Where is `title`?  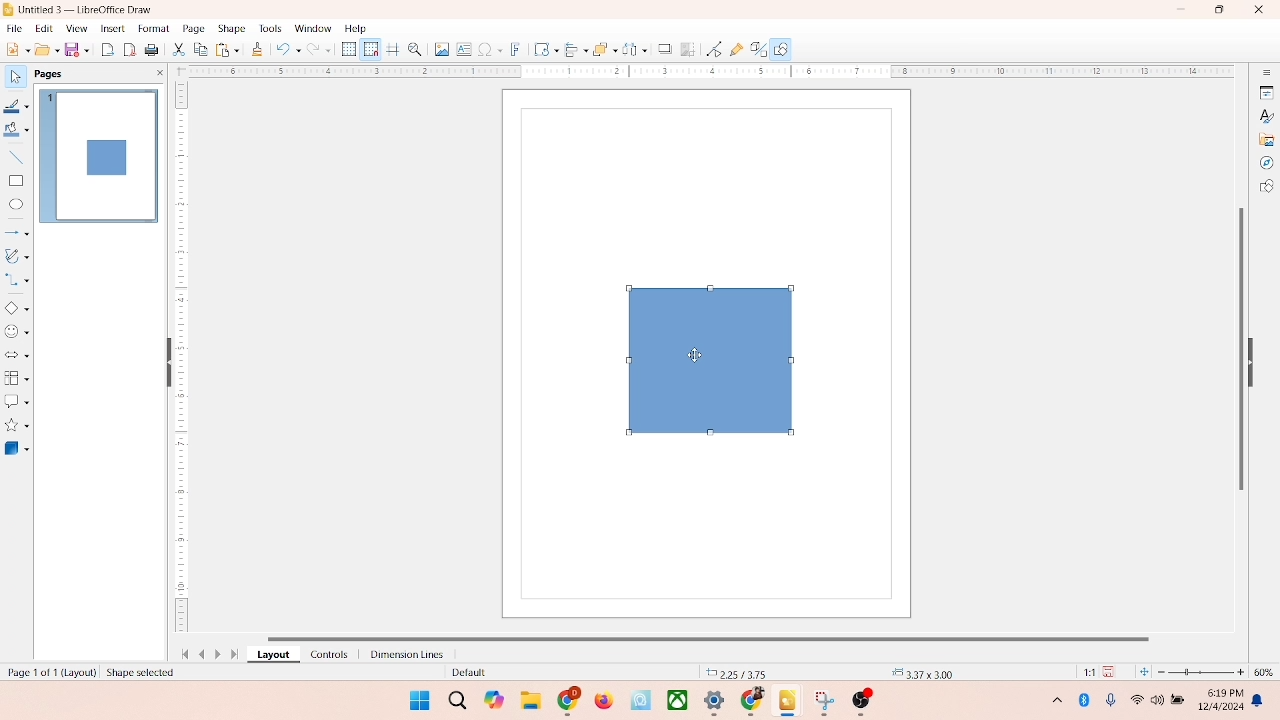
title is located at coordinates (87, 8).